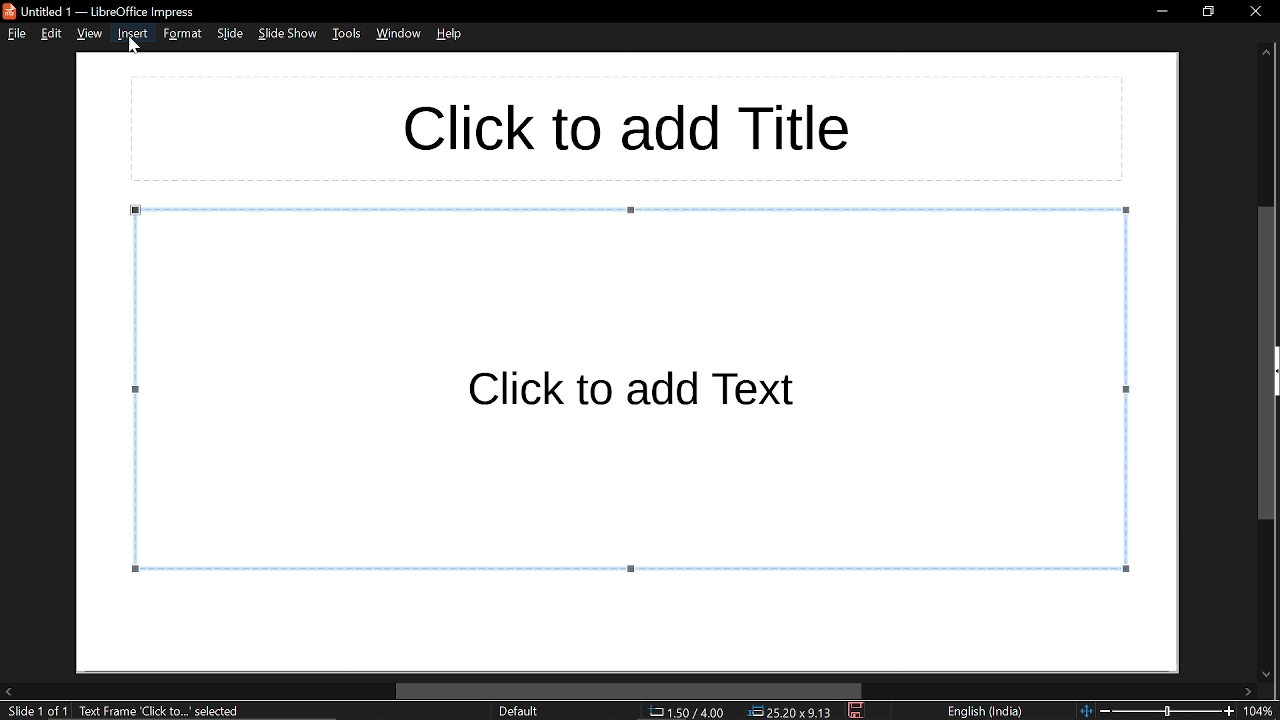 Image resolution: width=1280 pixels, height=720 pixels. What do you see at coordinates (8, 692) in the screenshot?
I see `move left` at bounding box center [8, 692].